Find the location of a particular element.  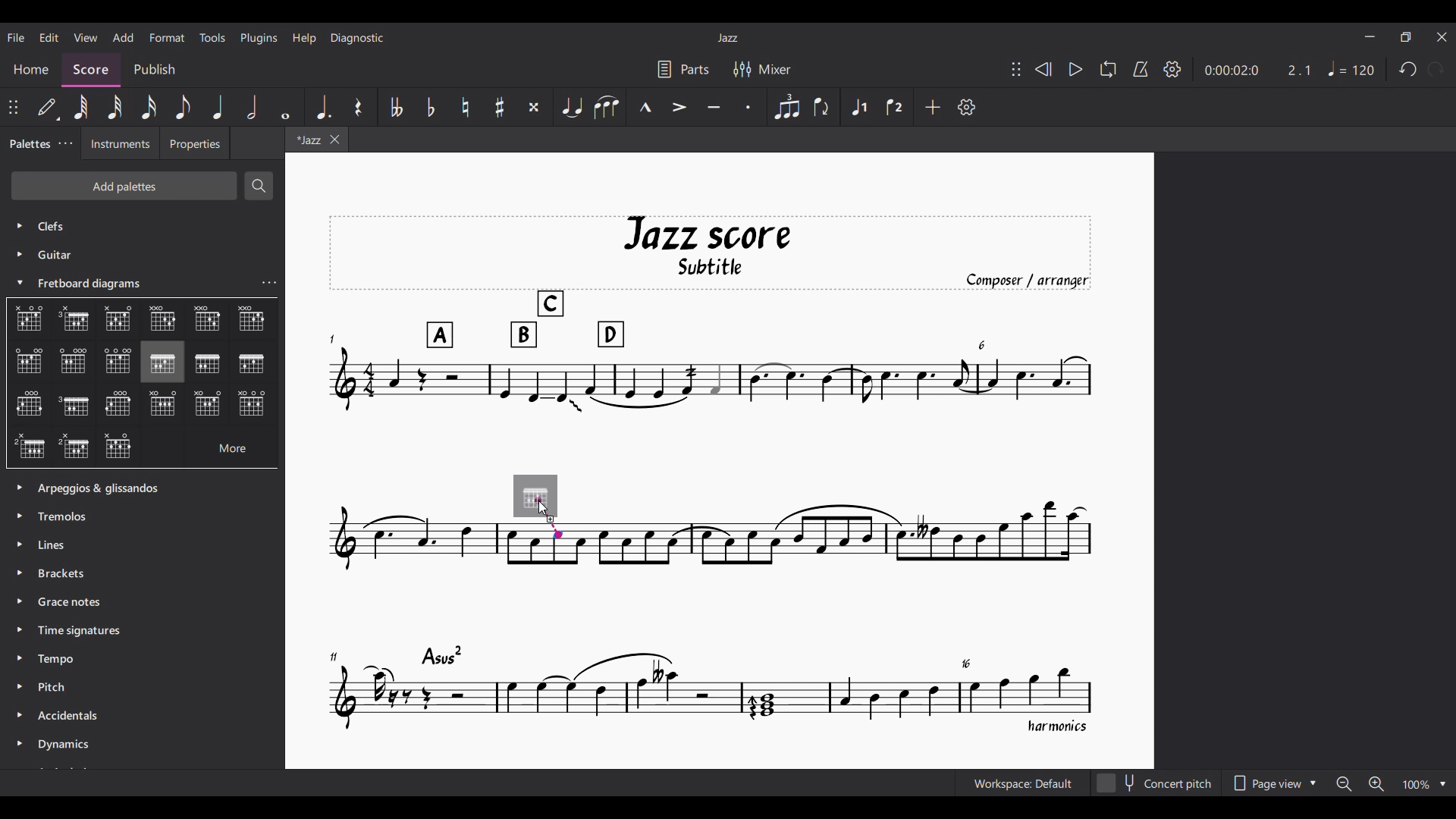

Rest is located at coordinates (358, 107).